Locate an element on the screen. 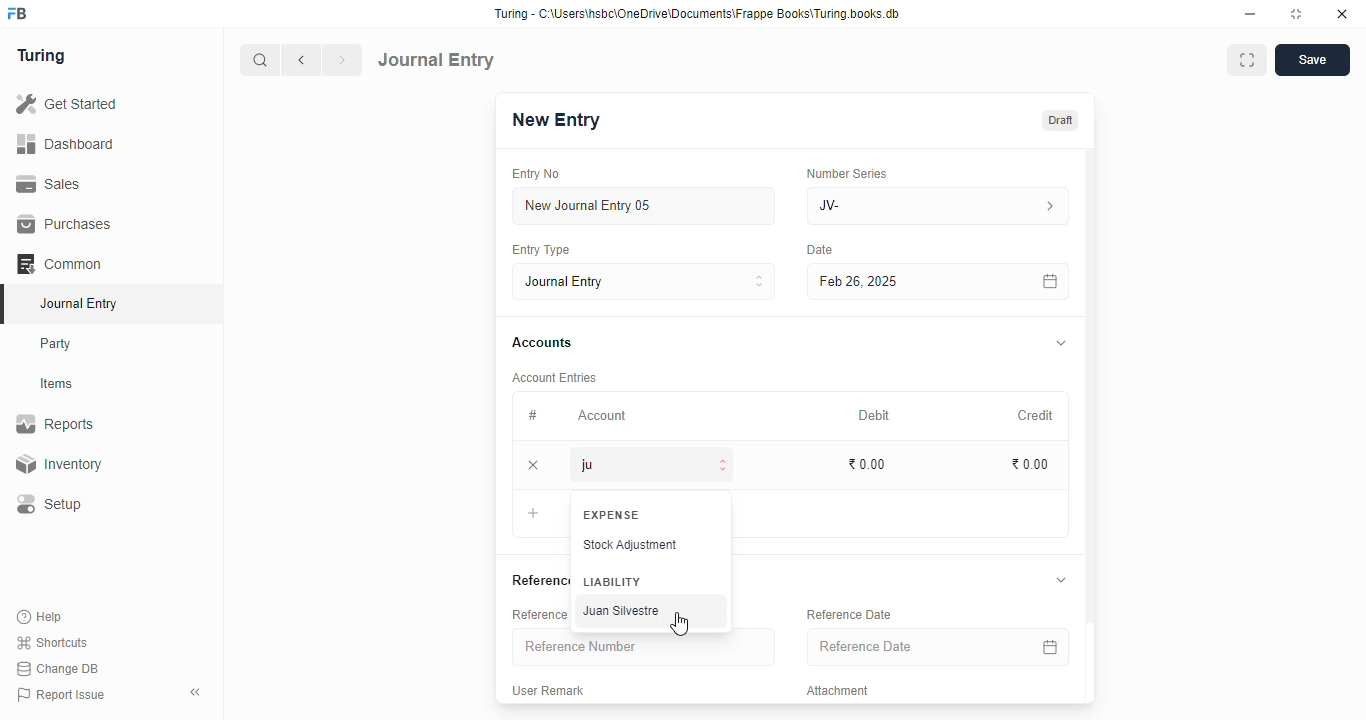 The height and width of the screenshot is (720, 1366). JV- is located at coordinates (939, 206).